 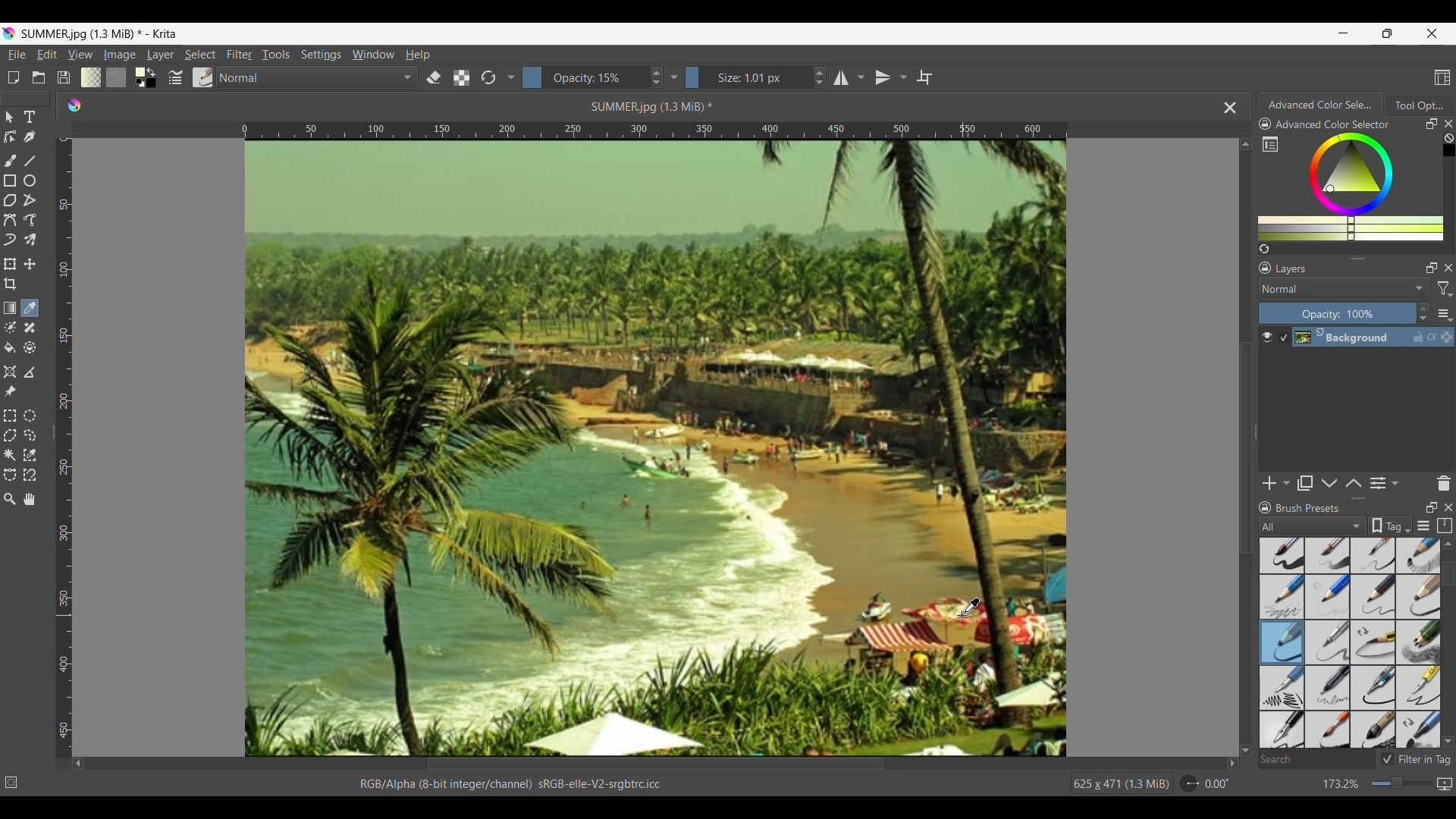 What do you see at coordinates (655, 764) in the screenshot?
I see `Horizontal slide bar` at bounding box center [655, 764].